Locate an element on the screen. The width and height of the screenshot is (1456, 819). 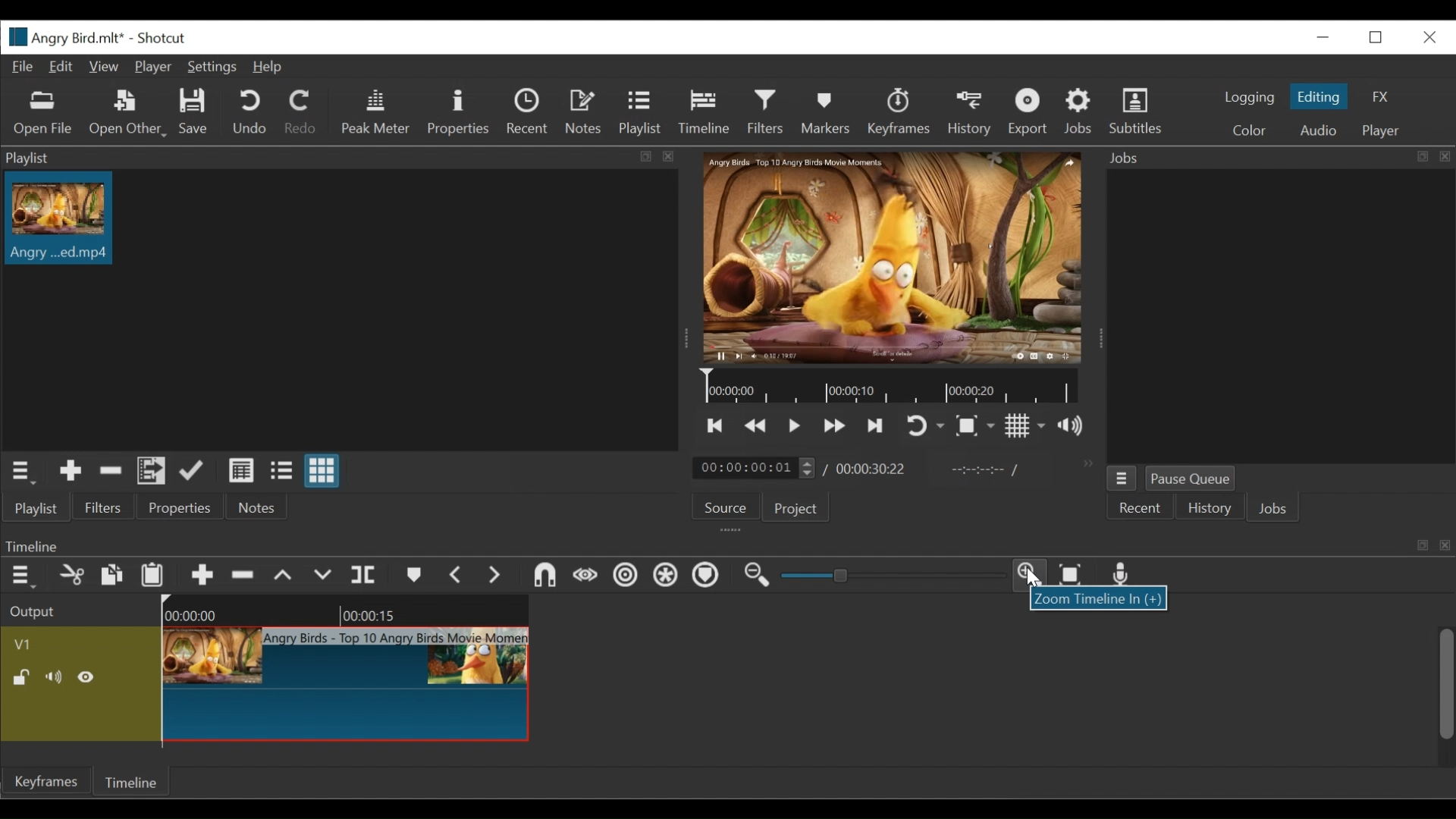
Zoom timeline out  is located at coordinates (762, 575).